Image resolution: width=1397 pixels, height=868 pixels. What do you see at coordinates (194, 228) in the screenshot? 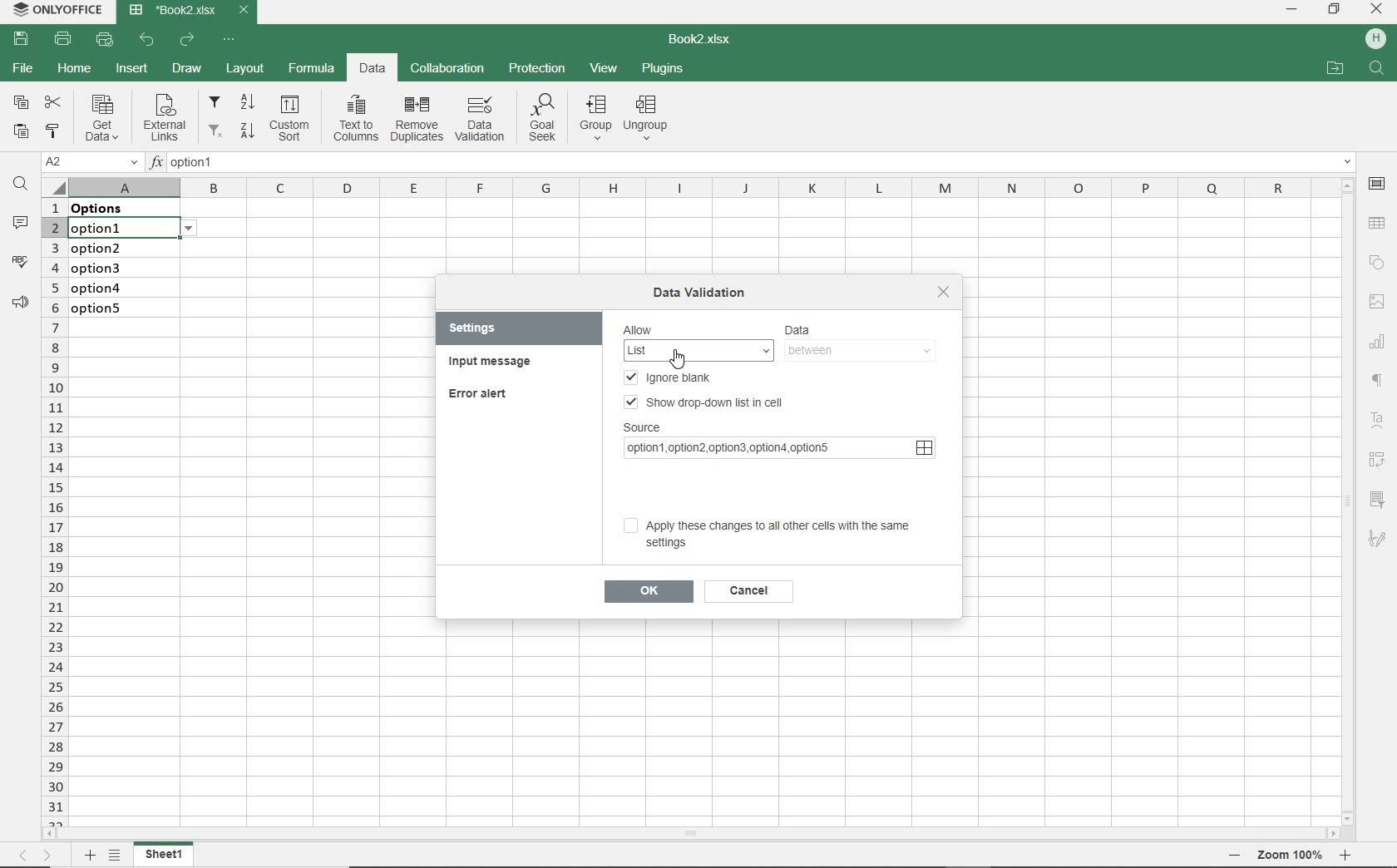
I see `options` at bounding box center [194, 228].